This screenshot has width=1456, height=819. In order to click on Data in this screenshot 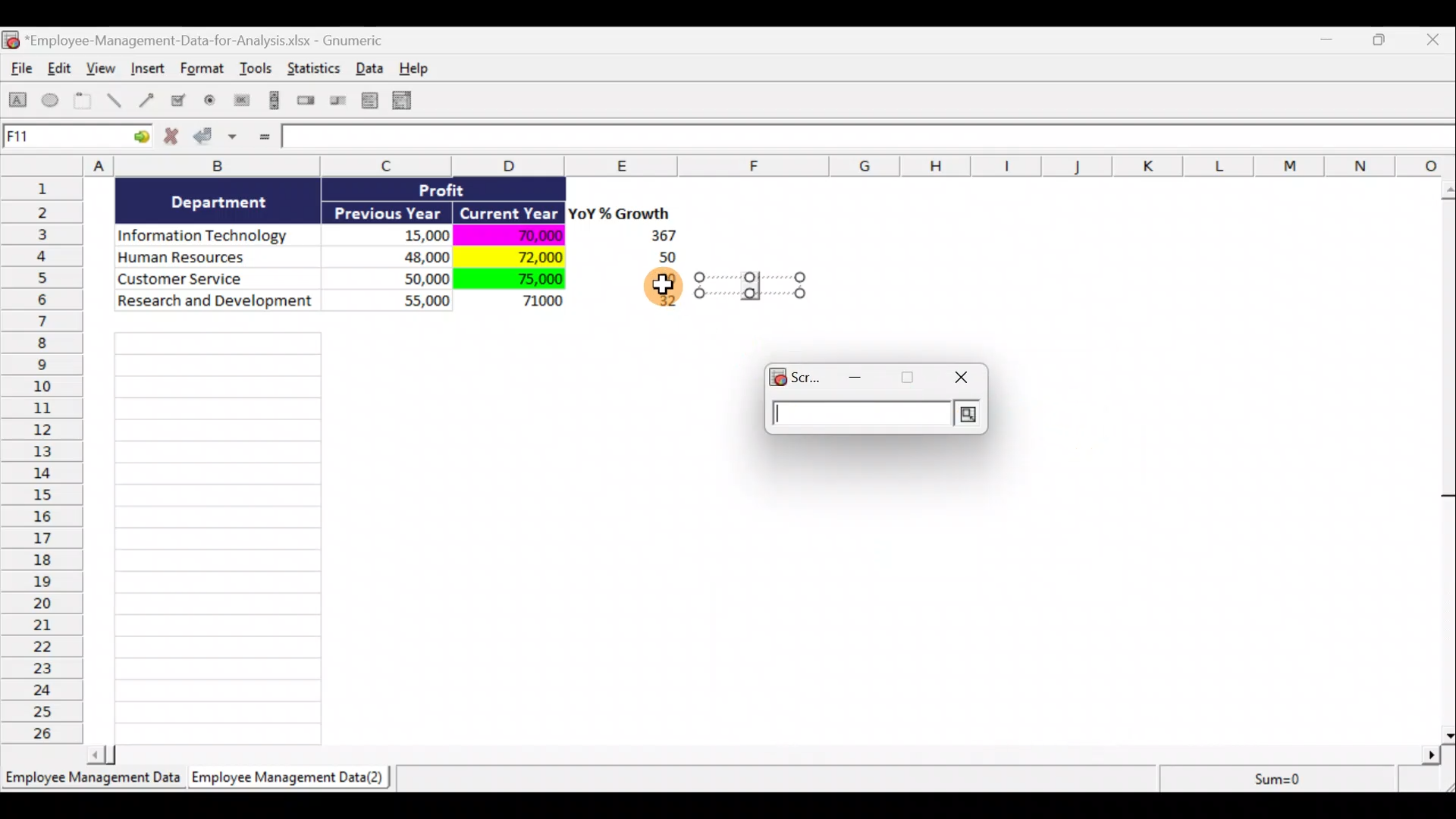, I will do `click(398, 256)`.